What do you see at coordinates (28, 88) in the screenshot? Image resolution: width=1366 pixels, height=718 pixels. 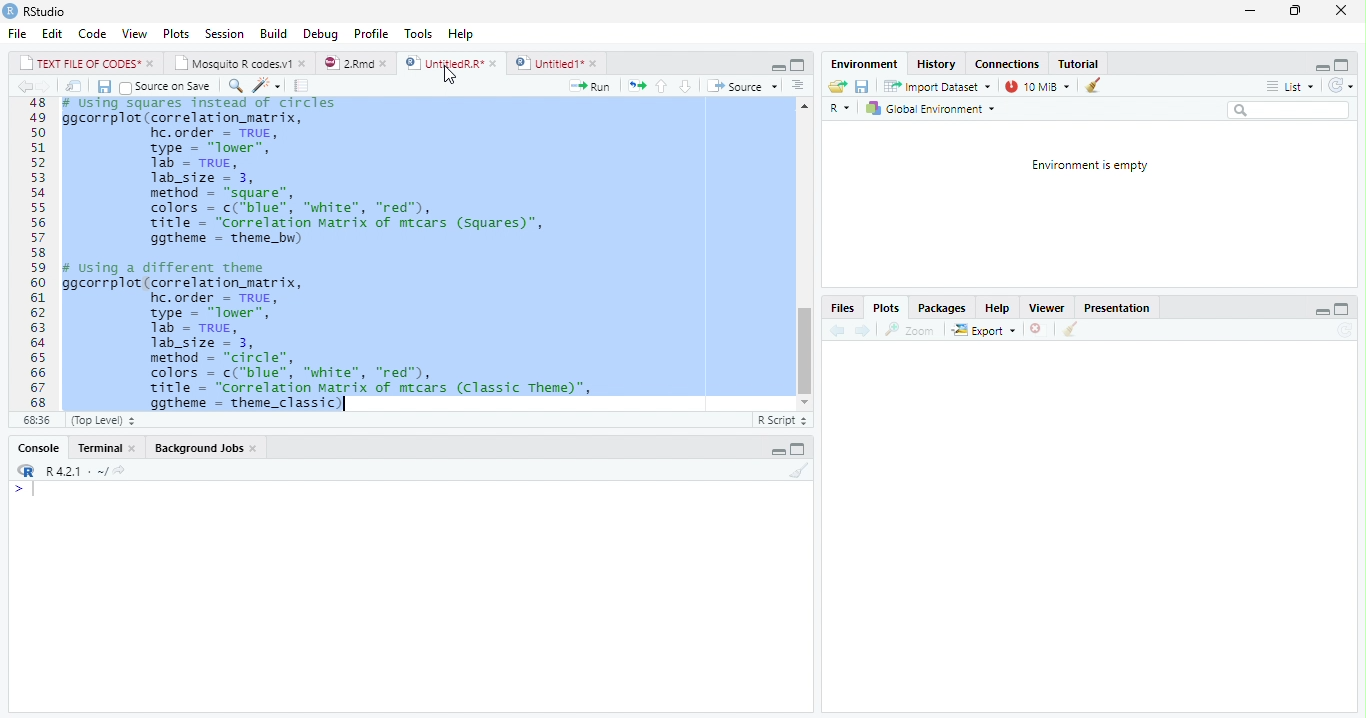 I see `go back to the previous source location` at bounding box center [28, 88].